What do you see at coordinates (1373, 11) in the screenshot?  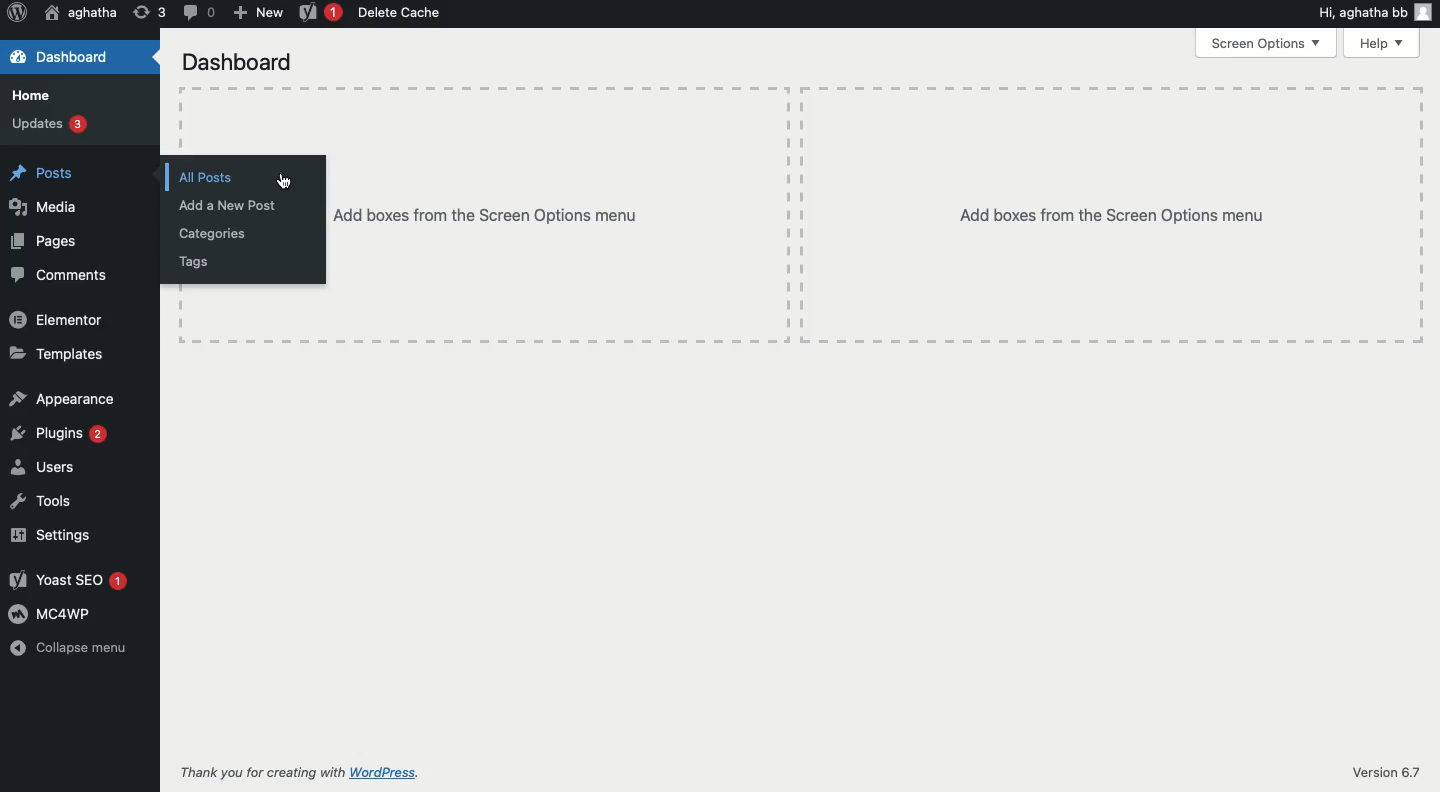 I see `Hi aghatha bb` at bounding box center [1373, 11].